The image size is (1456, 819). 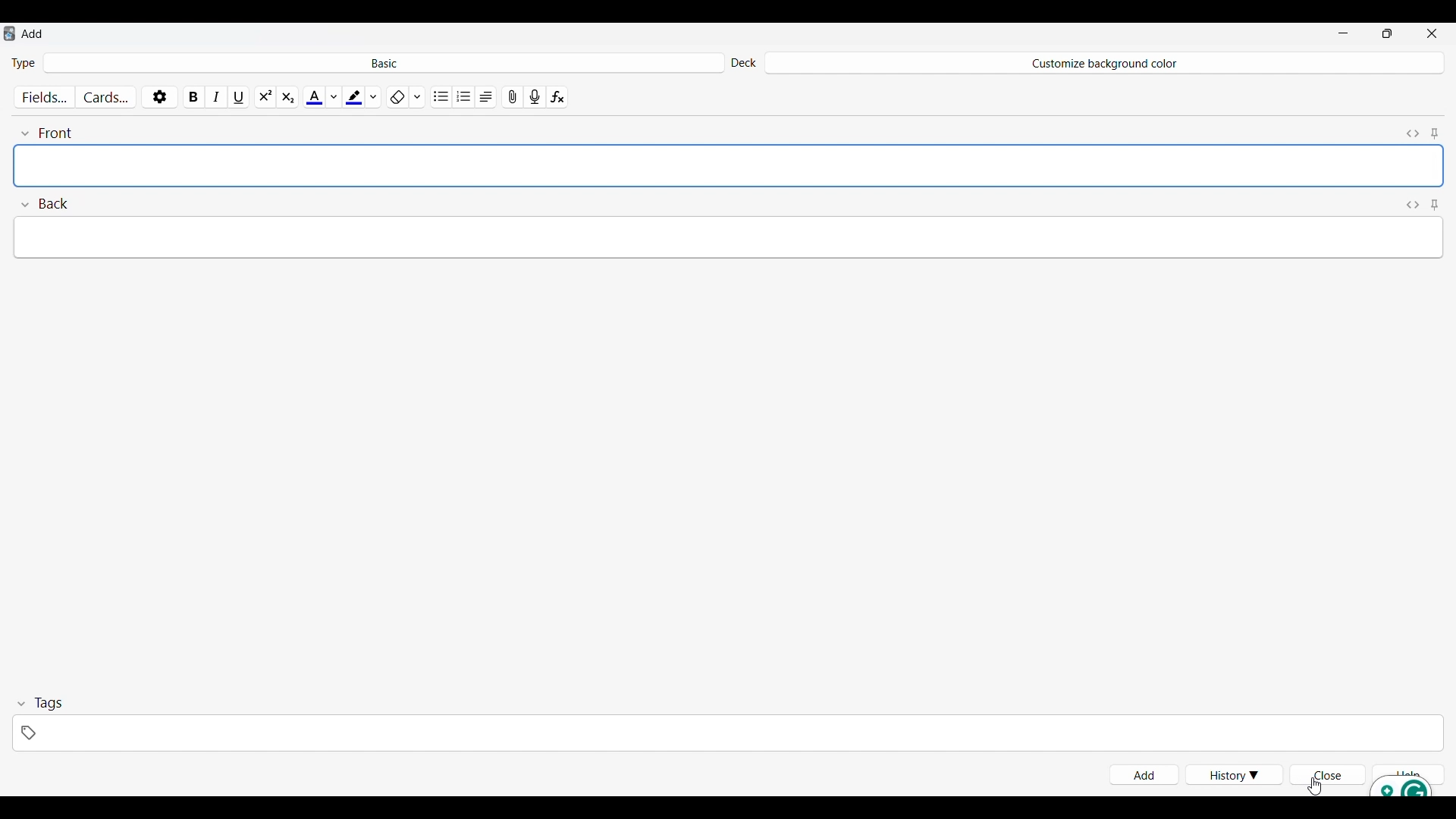 What do you see at coordinates (727, 733) in the screenshot?
I see `Click to type in tags` at bounding box center [727, 733].